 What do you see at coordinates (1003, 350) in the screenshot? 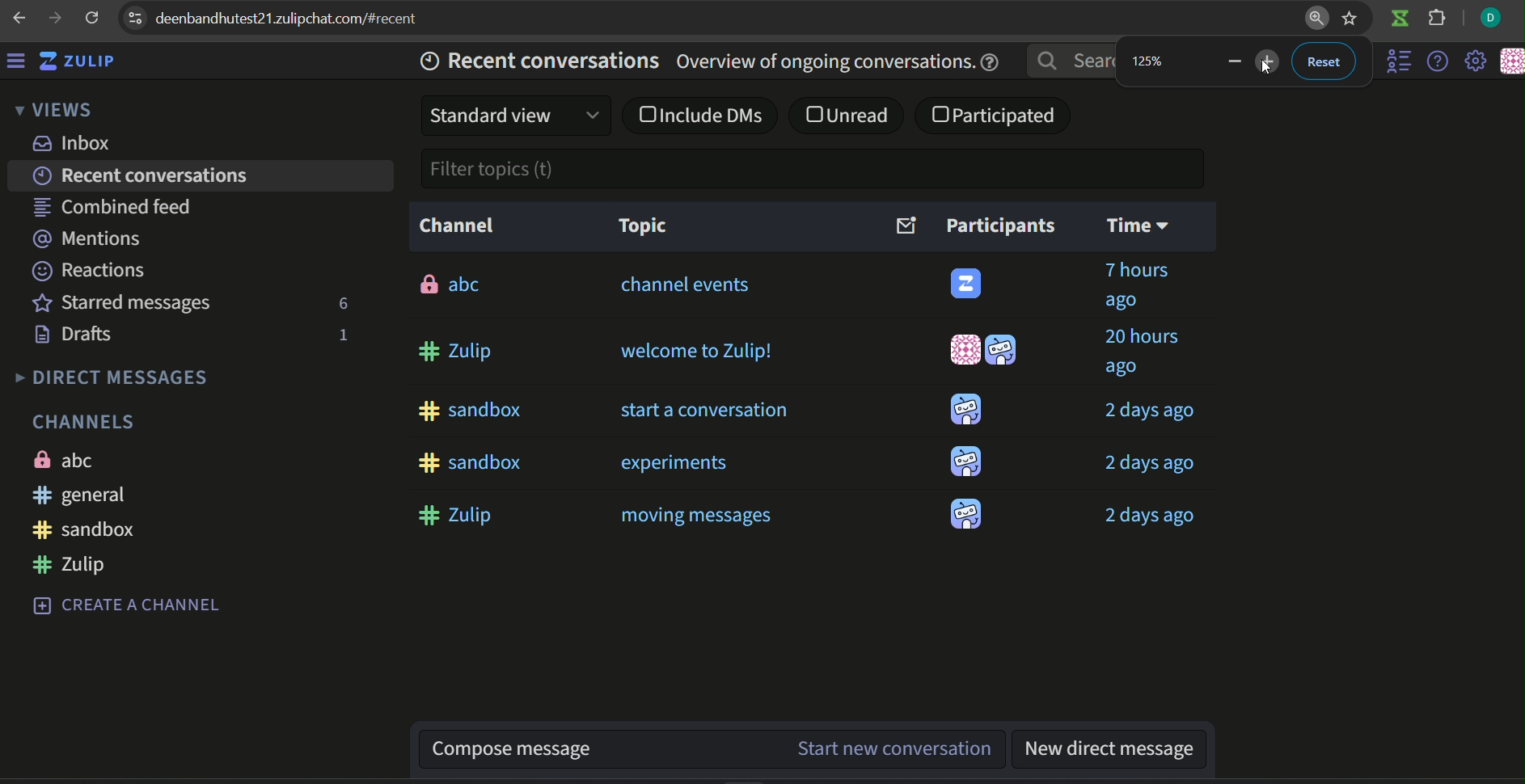
I see `icon` at bounding box center [1003, 350].